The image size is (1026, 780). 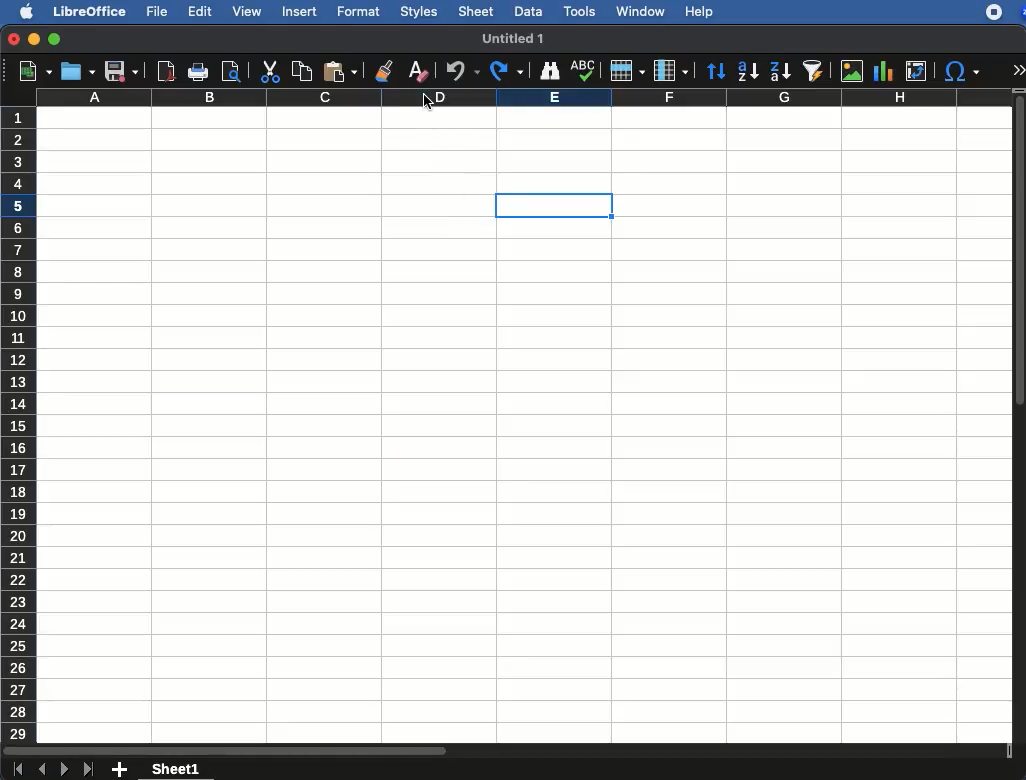 I want to click on insert, so click(x=299, y=13).